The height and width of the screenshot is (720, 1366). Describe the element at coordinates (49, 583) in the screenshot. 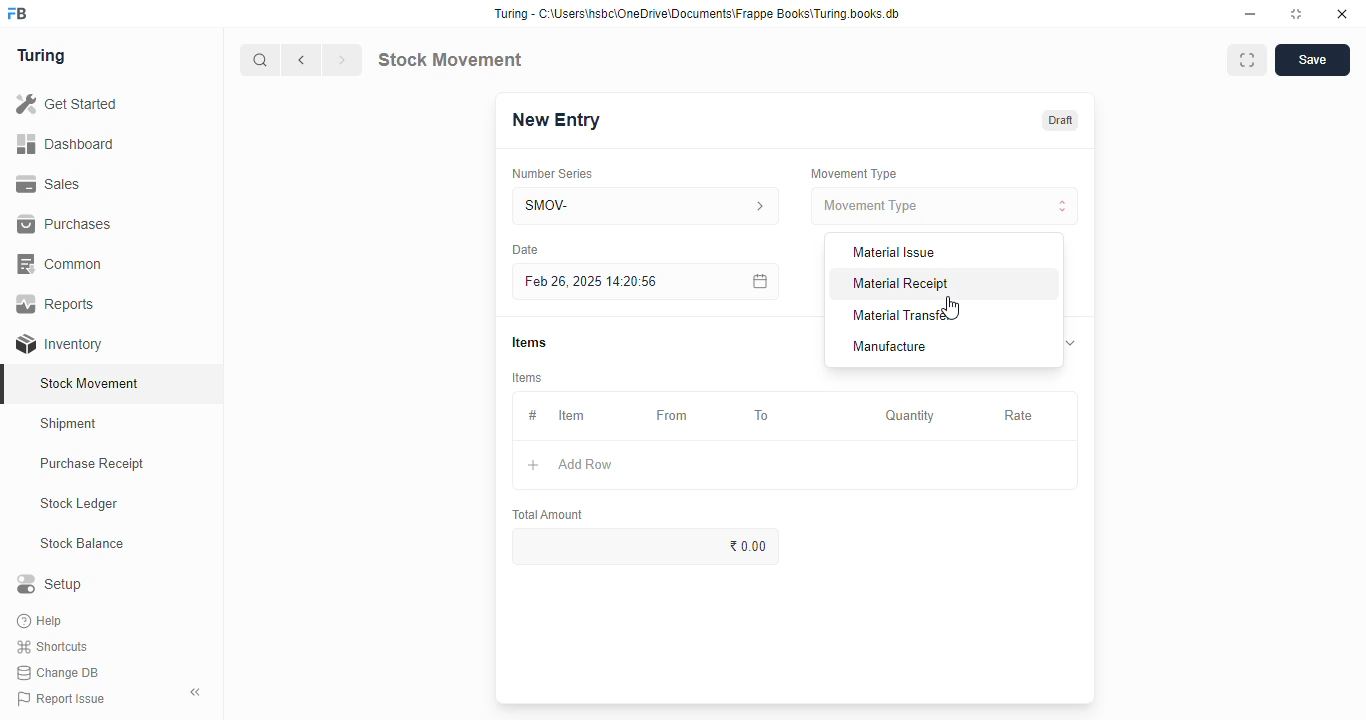

I see `setup` at that location.